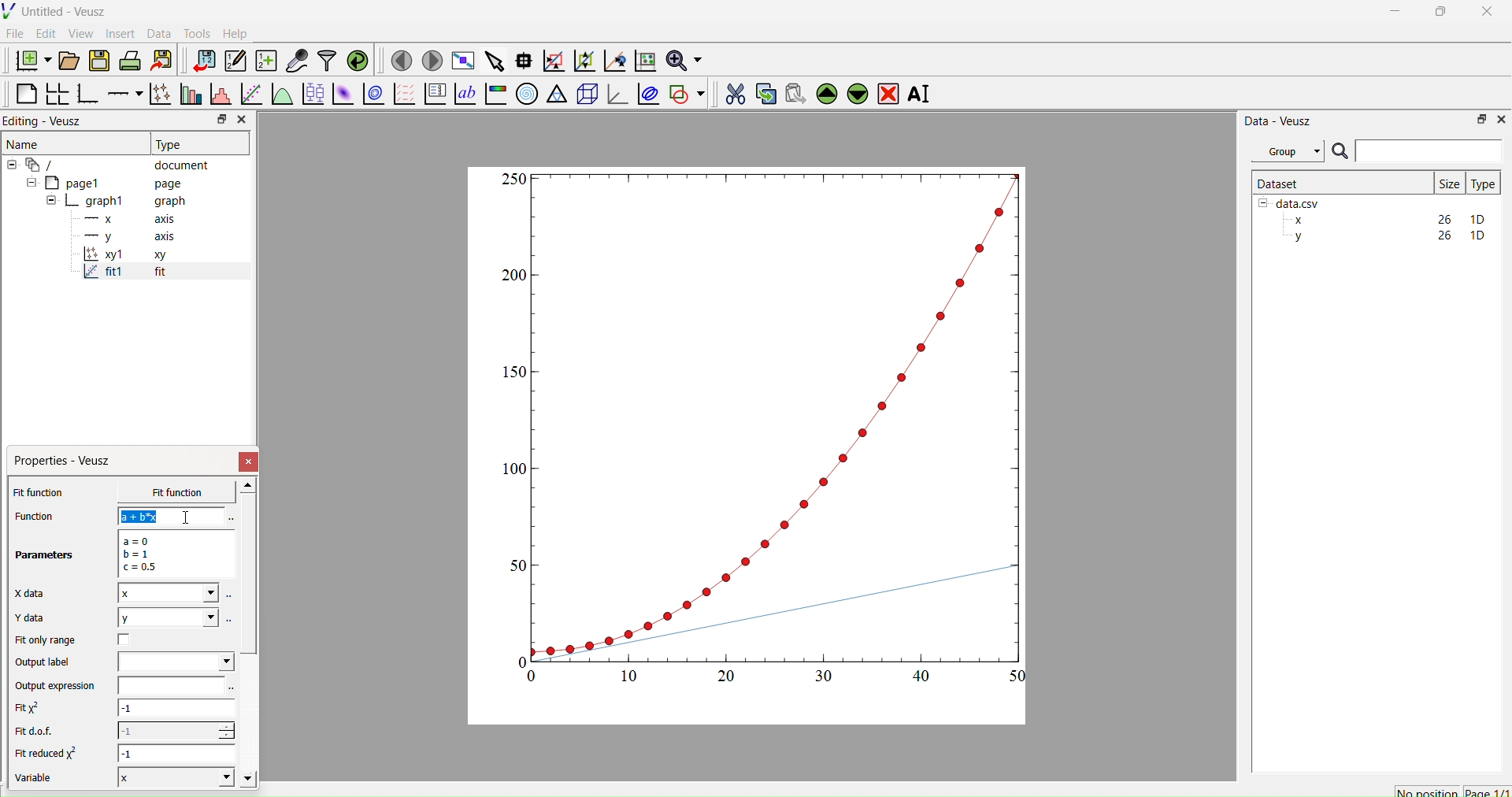 This screenshot has width=1512, height=797. Describe the element at coordinates (762, 92) in the screenshot. I see `Copy` at that location.